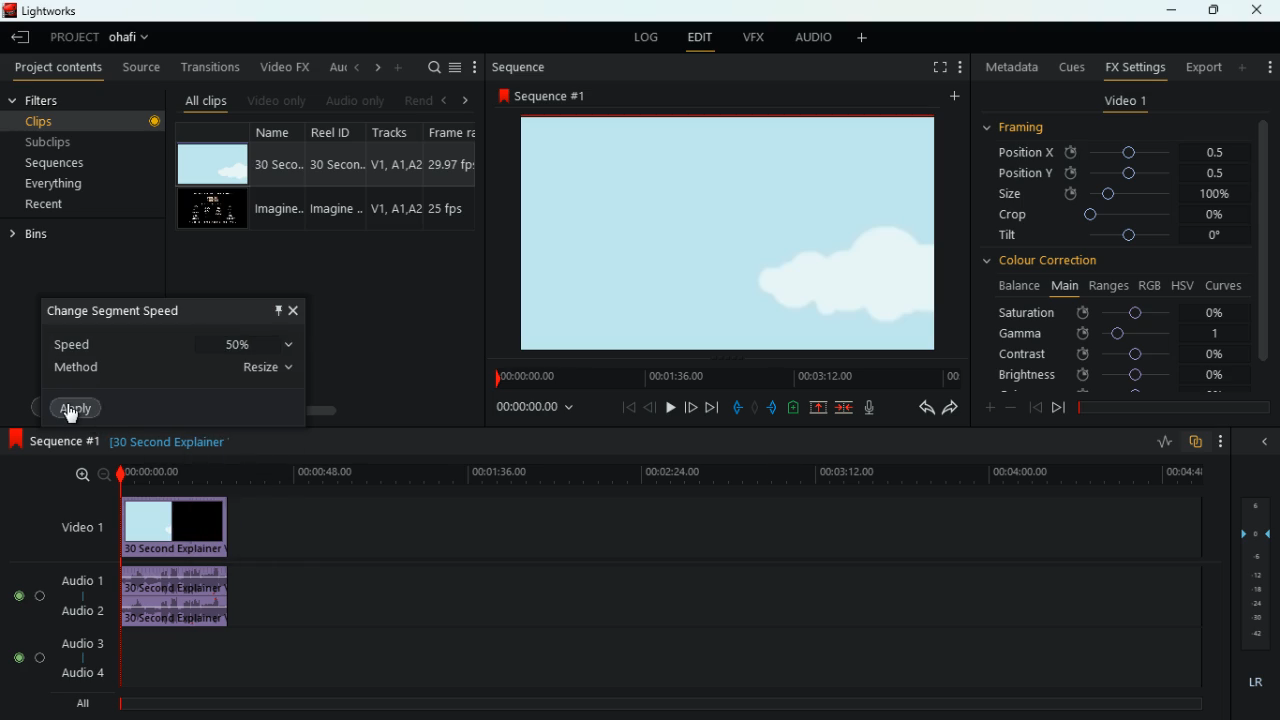  I want to click on saturation, so click(1116, 311).